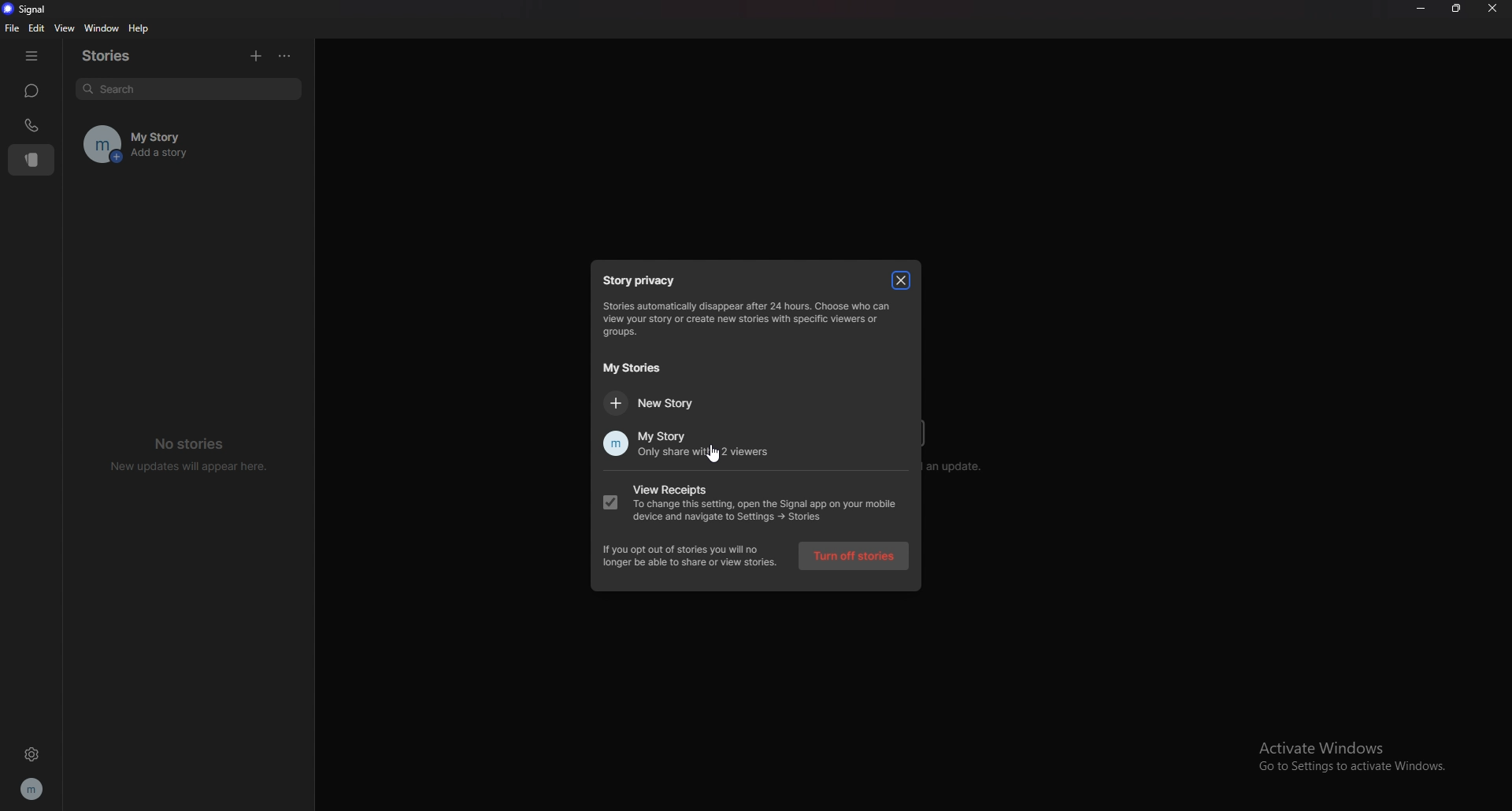 The width and height of the screenshot is (1512, 811). I want to click on stories, so click(33, 160).